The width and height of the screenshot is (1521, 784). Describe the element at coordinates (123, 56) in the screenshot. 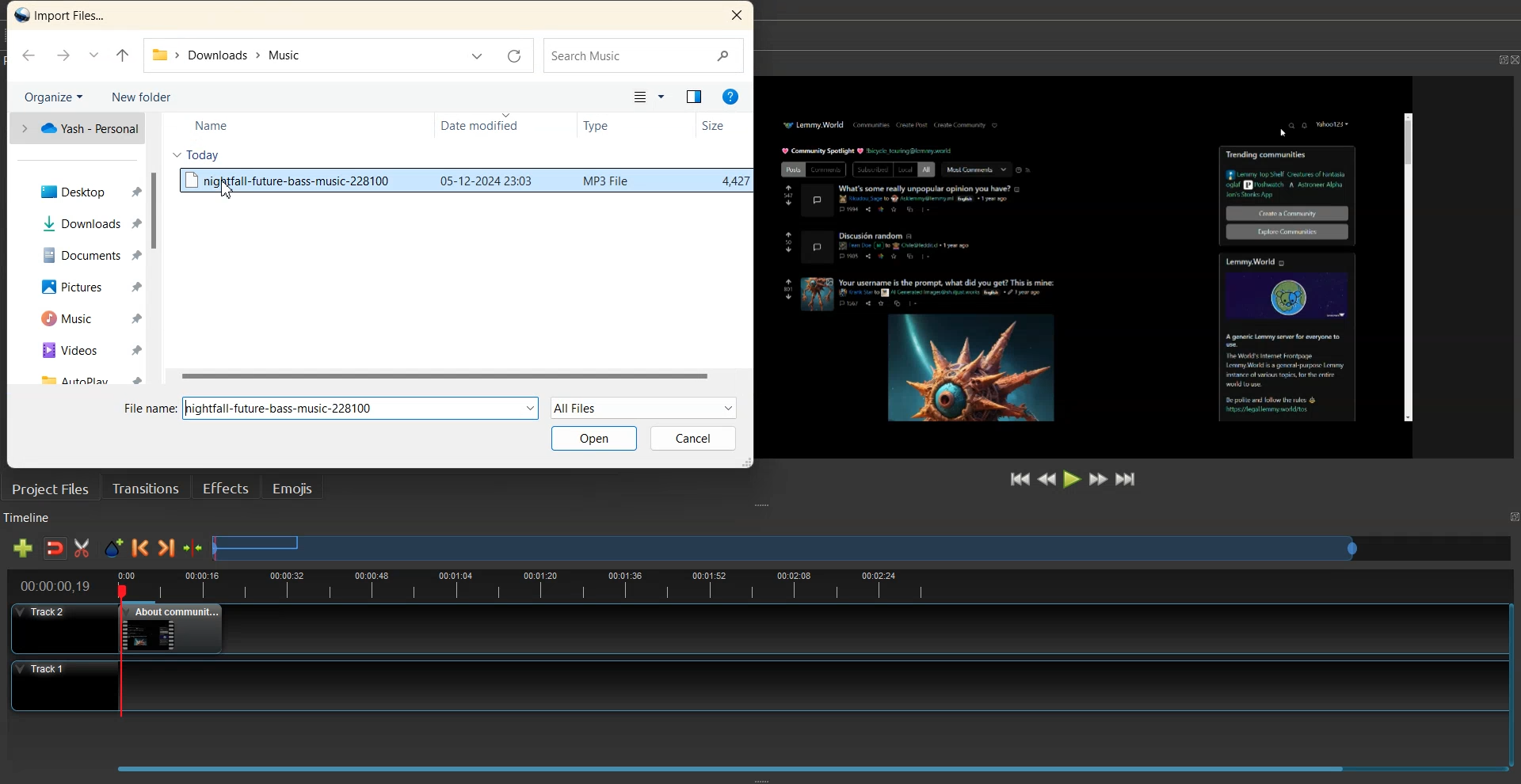

I see `Up to Last file` at that location.